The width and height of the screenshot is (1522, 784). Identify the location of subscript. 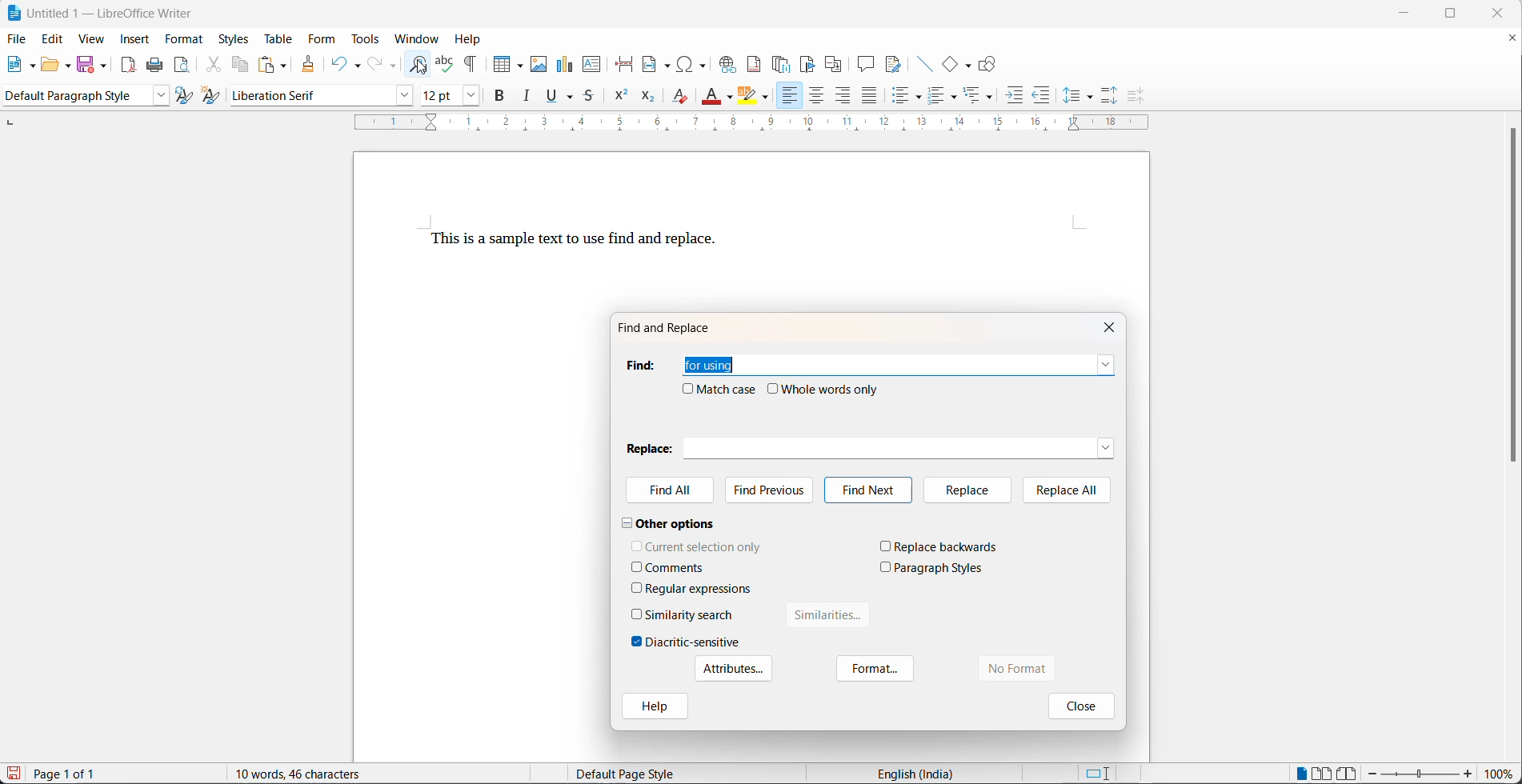
(647, 98).